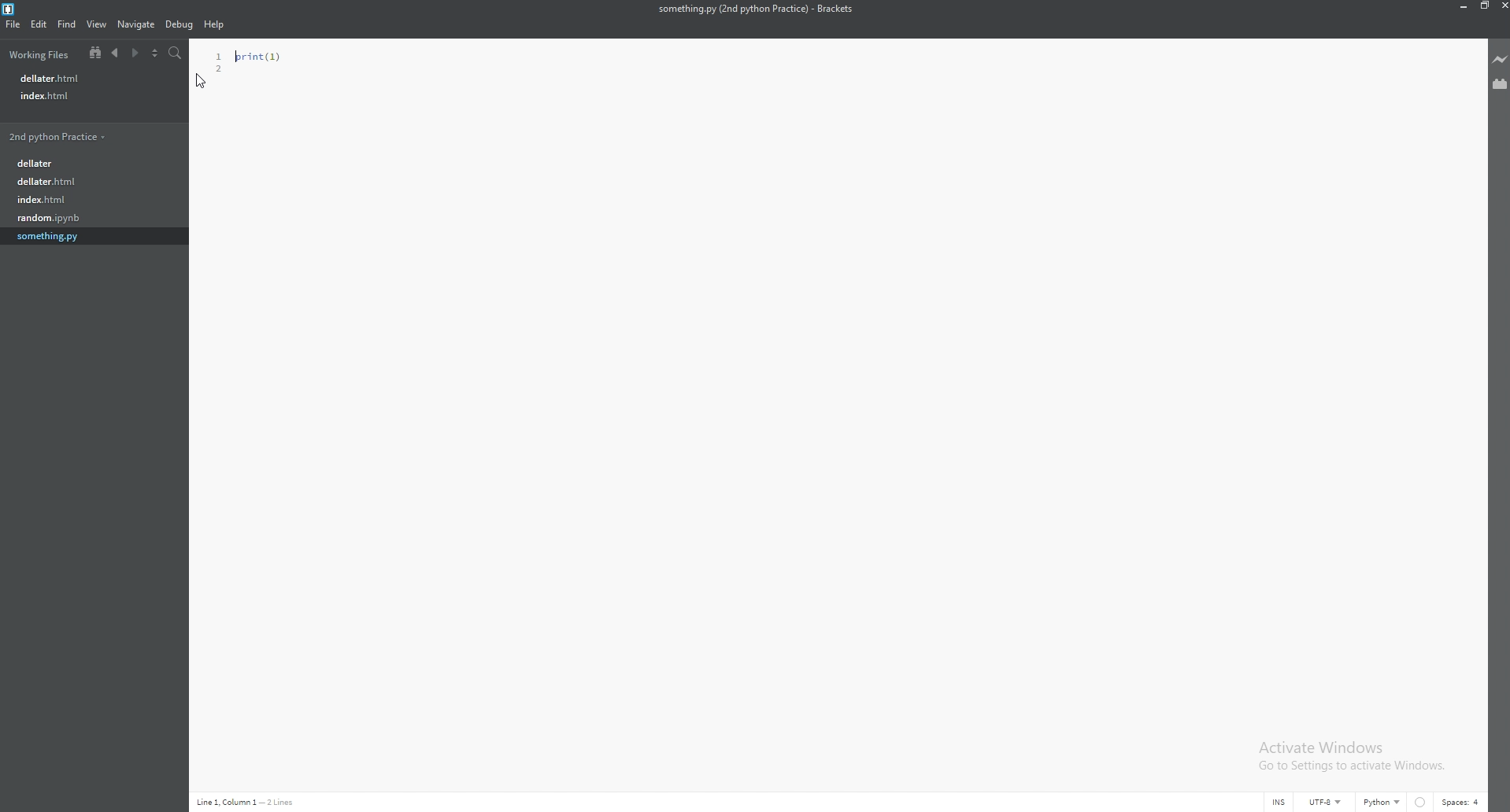 The height and width of the screenshot is (812, 1510). Describe the element at coordinates (756, 9) in the screenshot. I see `file name` at that location.